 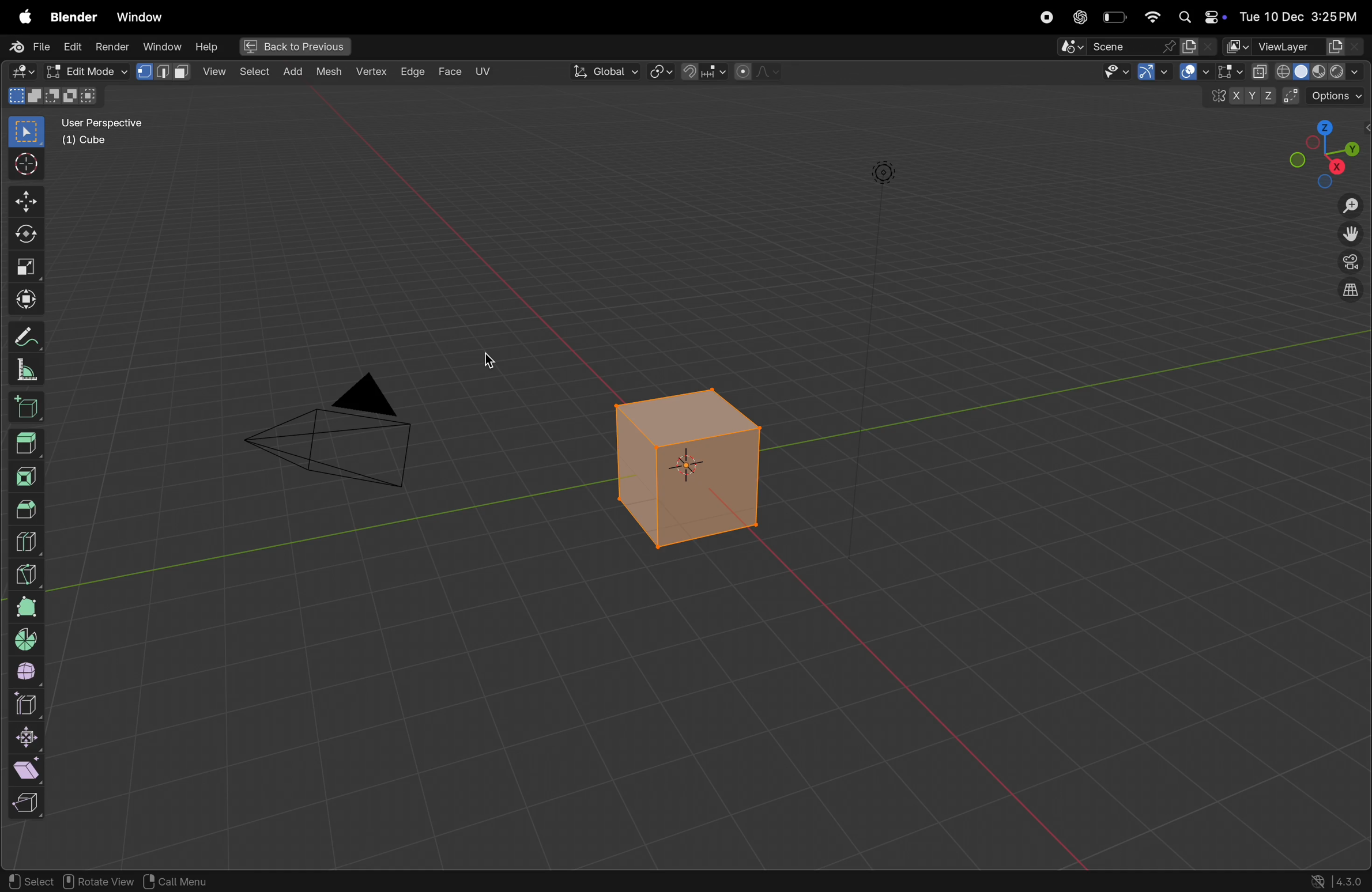 I want to click on Edit, so click(x=73, y=46).